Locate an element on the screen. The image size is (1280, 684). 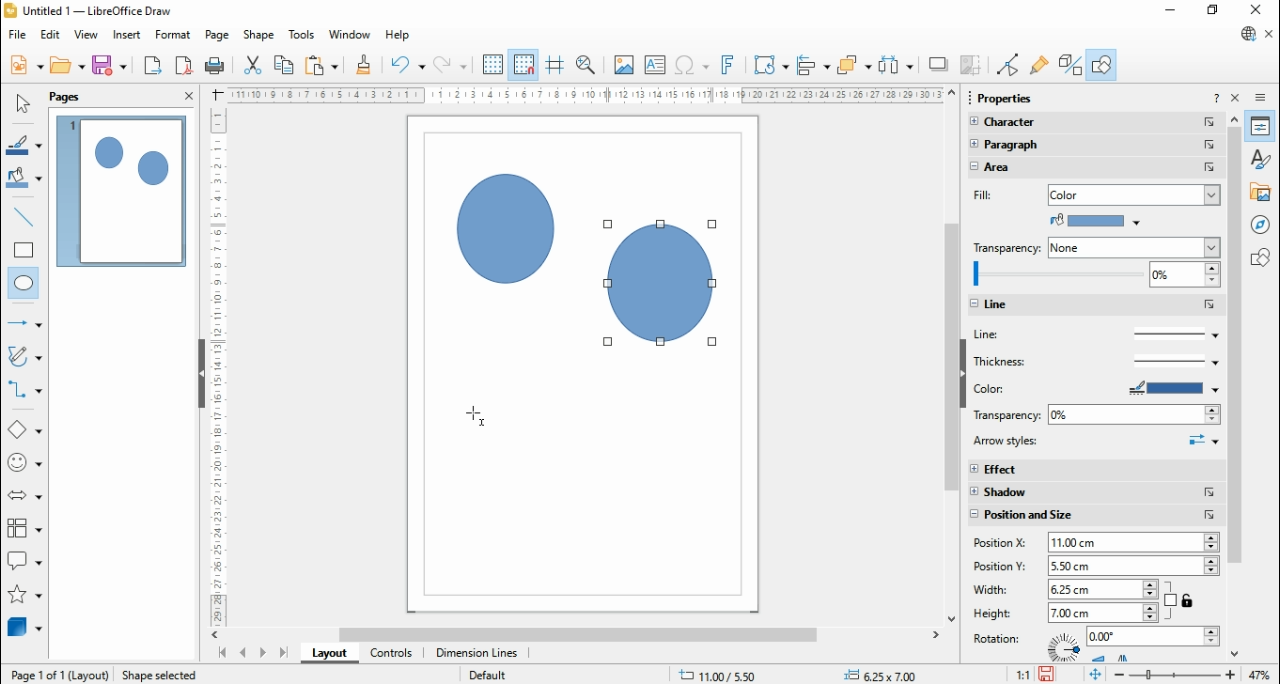
open is located at coordinates (67, 65).